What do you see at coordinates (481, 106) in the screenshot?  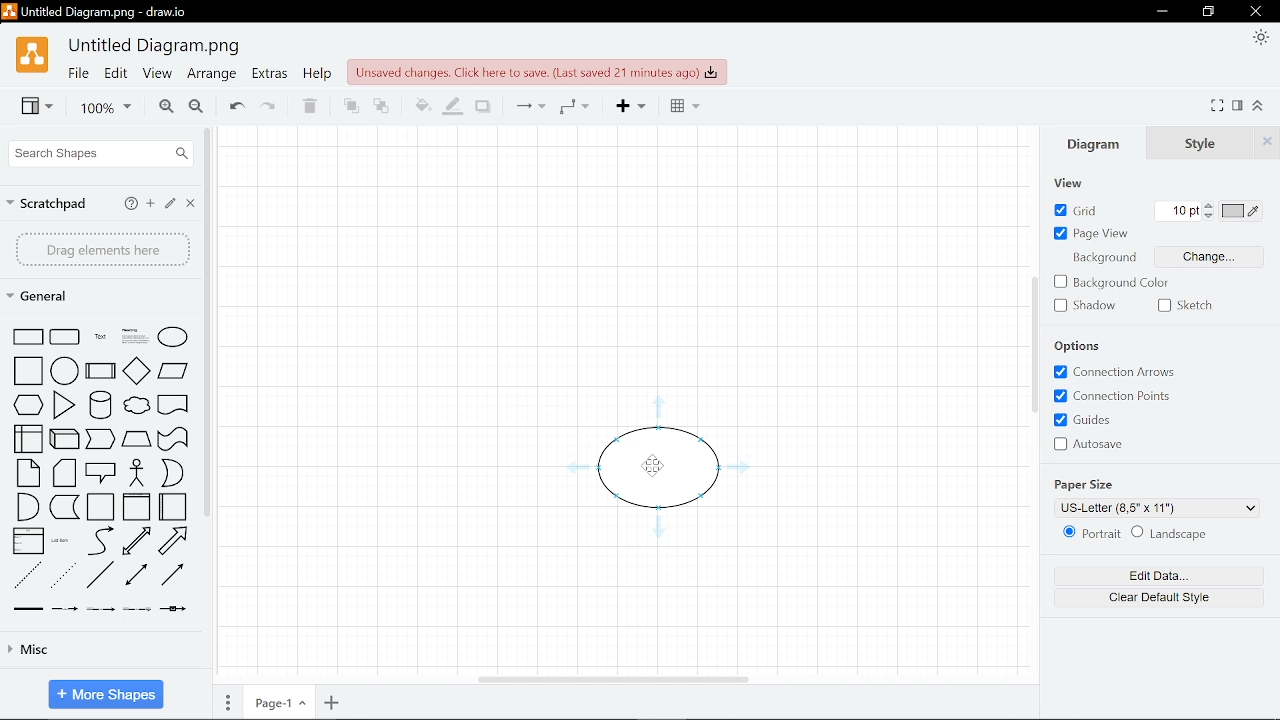 I see `Shadow` at bounding box center [481, 106].